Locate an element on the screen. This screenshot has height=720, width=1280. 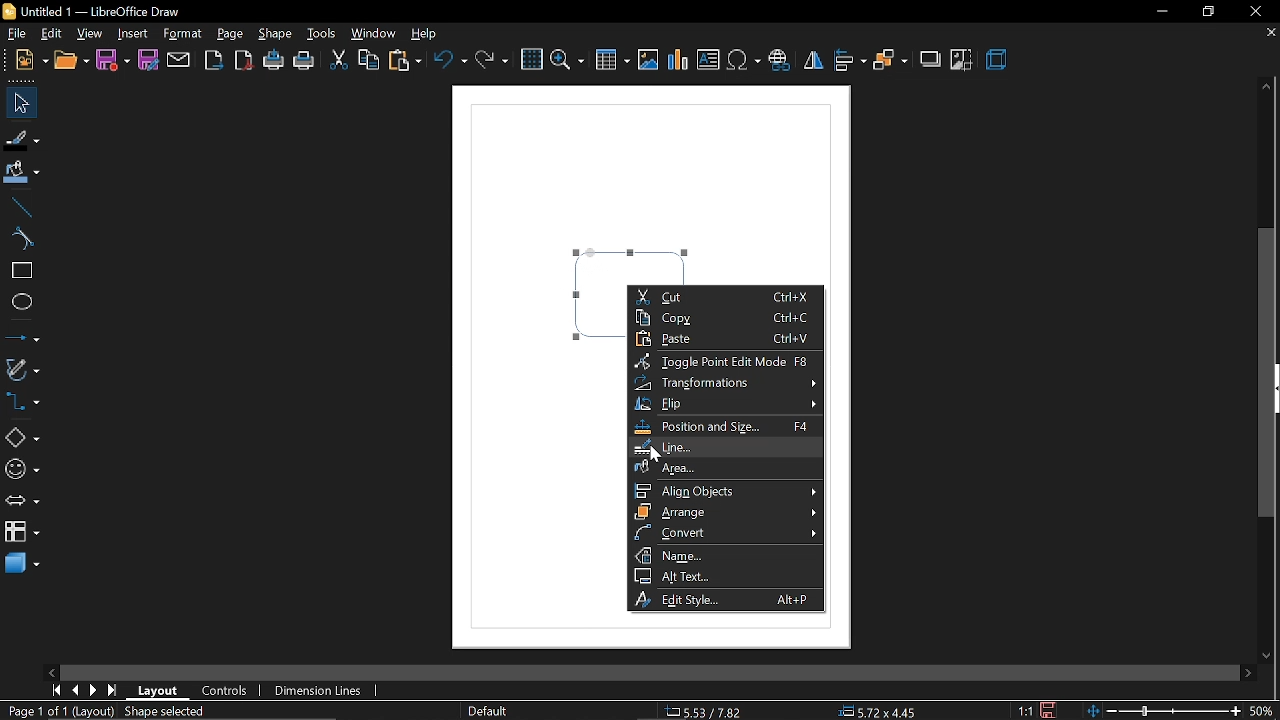
insert chart is located at coordinates (677, 61).